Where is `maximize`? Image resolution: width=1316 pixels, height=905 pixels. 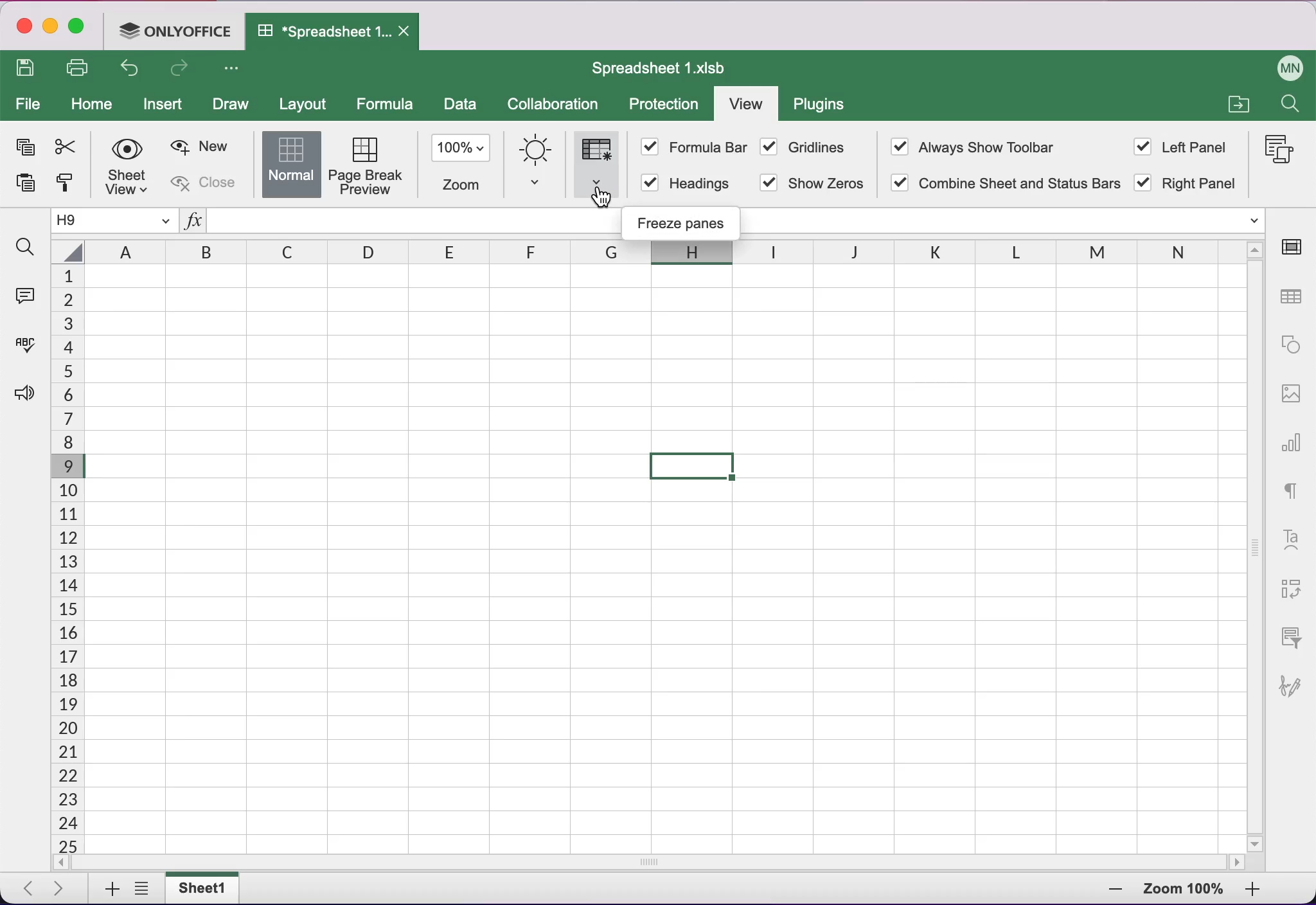
maximize is located at coordinates (79, 28).